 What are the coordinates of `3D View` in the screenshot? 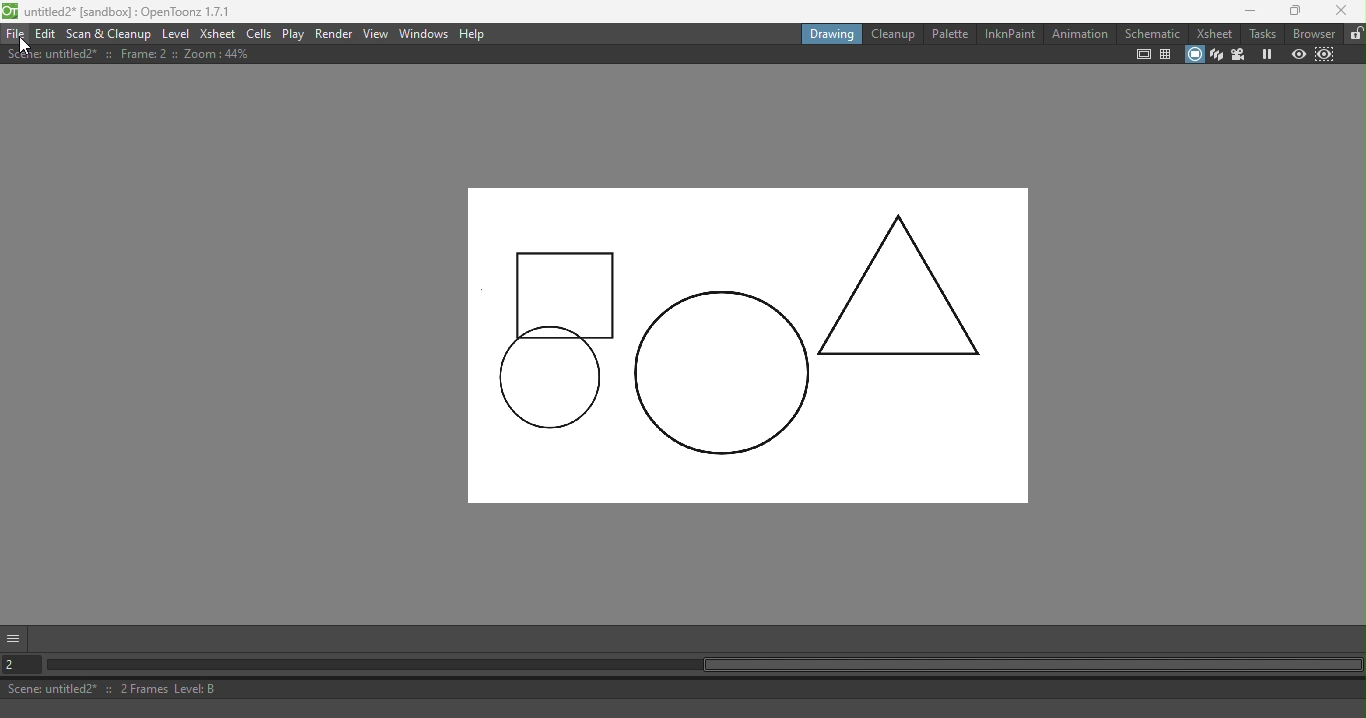 It's located at (1215, 55).